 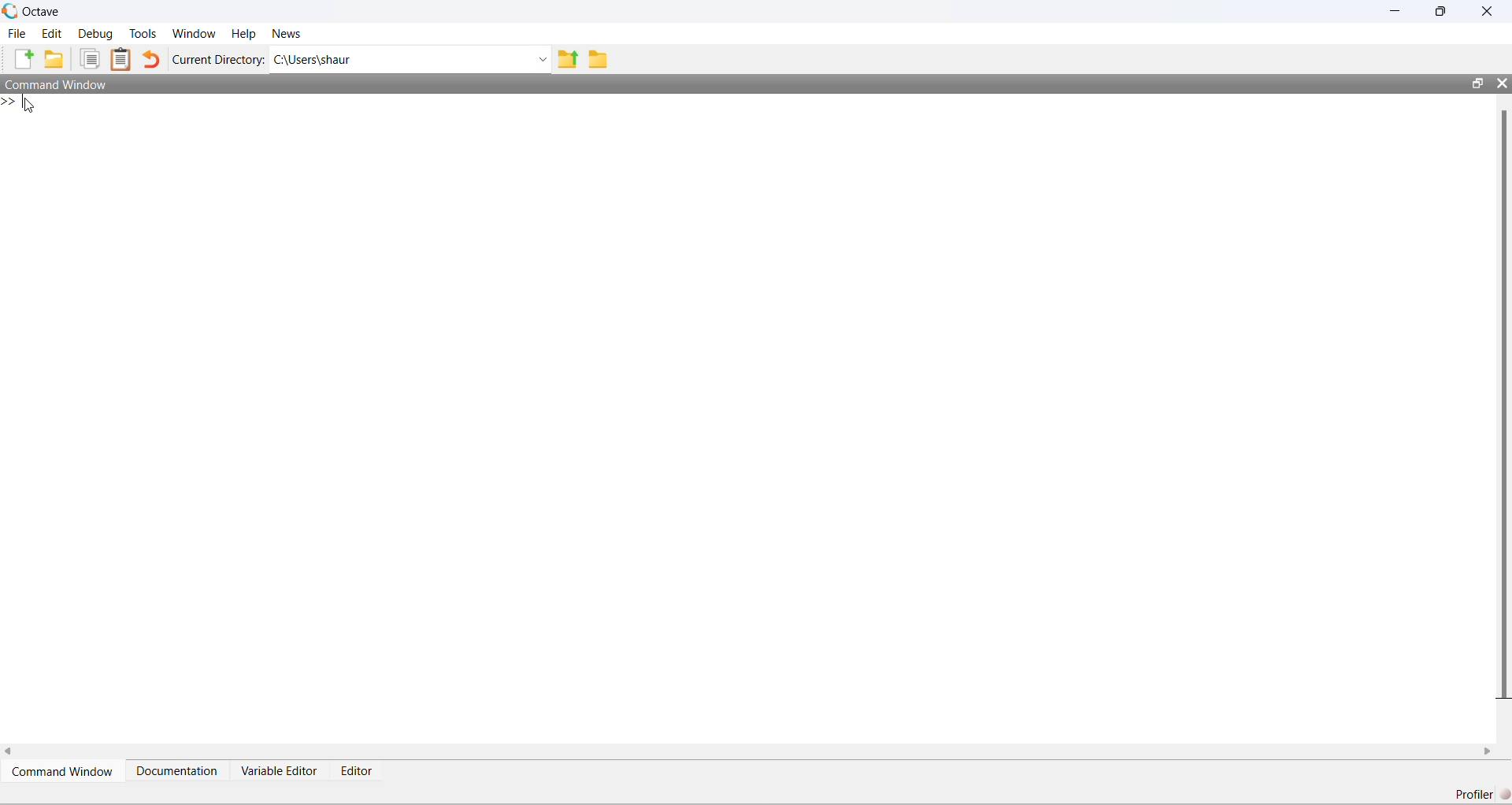 I want to click on Command Window, so click(x=64, y=770).